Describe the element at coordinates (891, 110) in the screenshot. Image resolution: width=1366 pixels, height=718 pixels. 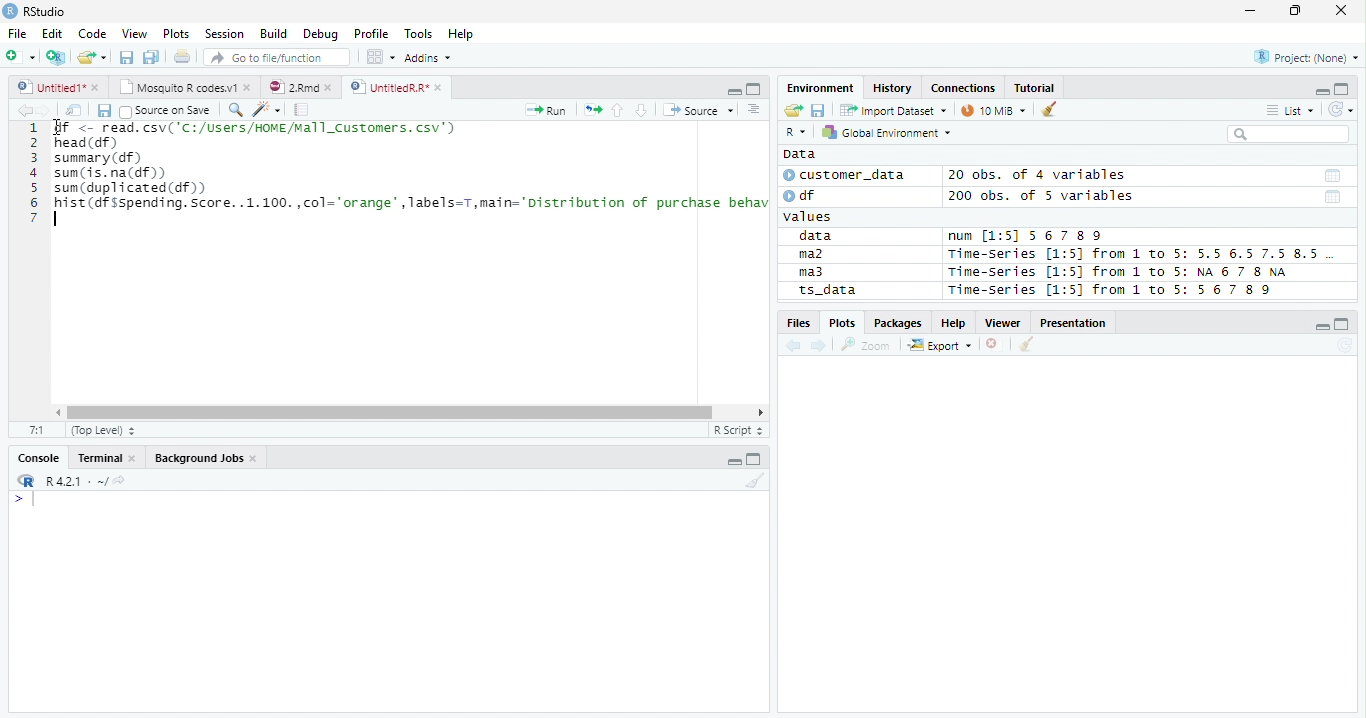
I see `Import Dataset` at that location.